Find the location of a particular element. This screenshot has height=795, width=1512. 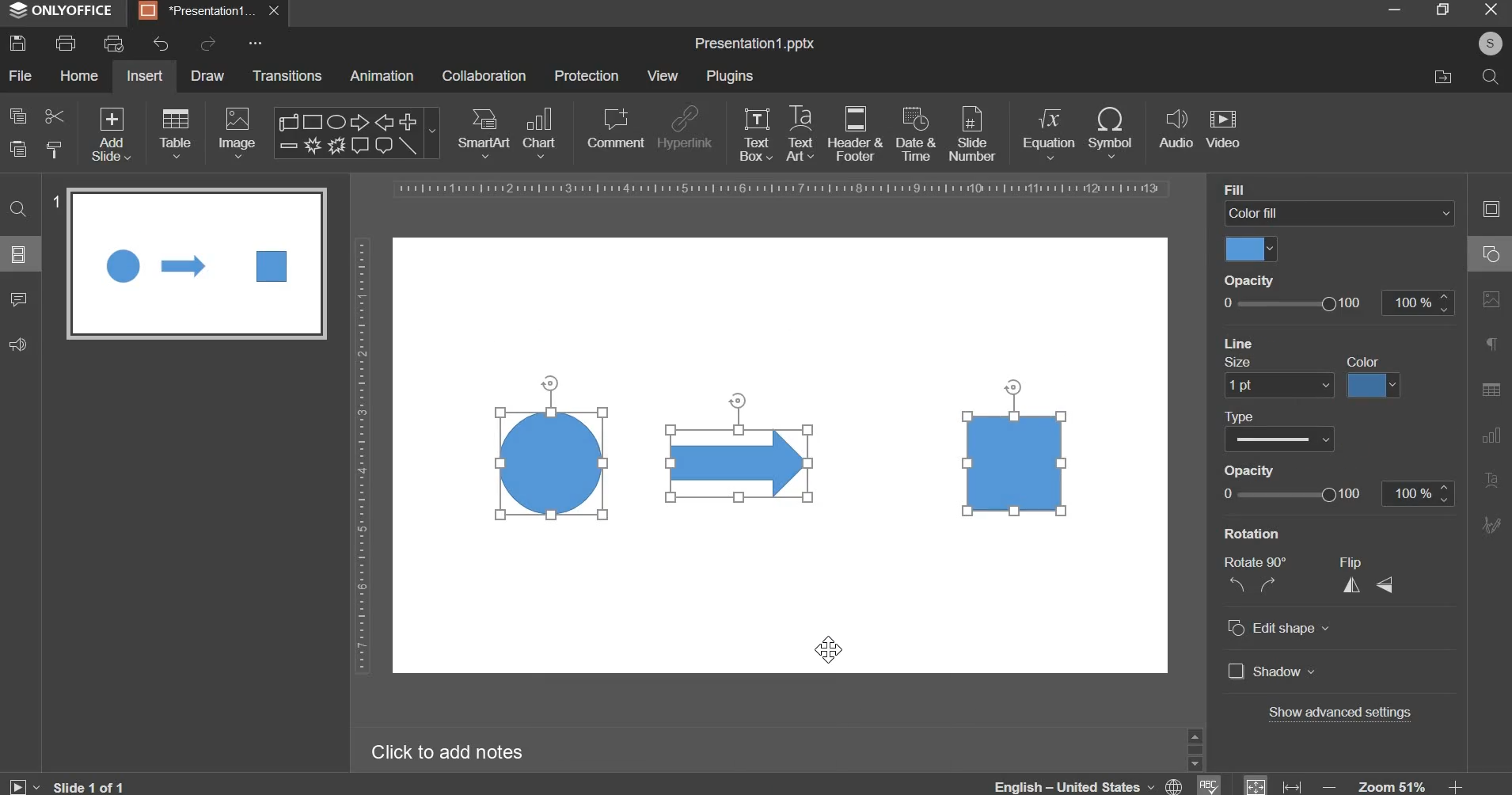

slide preview is located at coordinates (196, 263).